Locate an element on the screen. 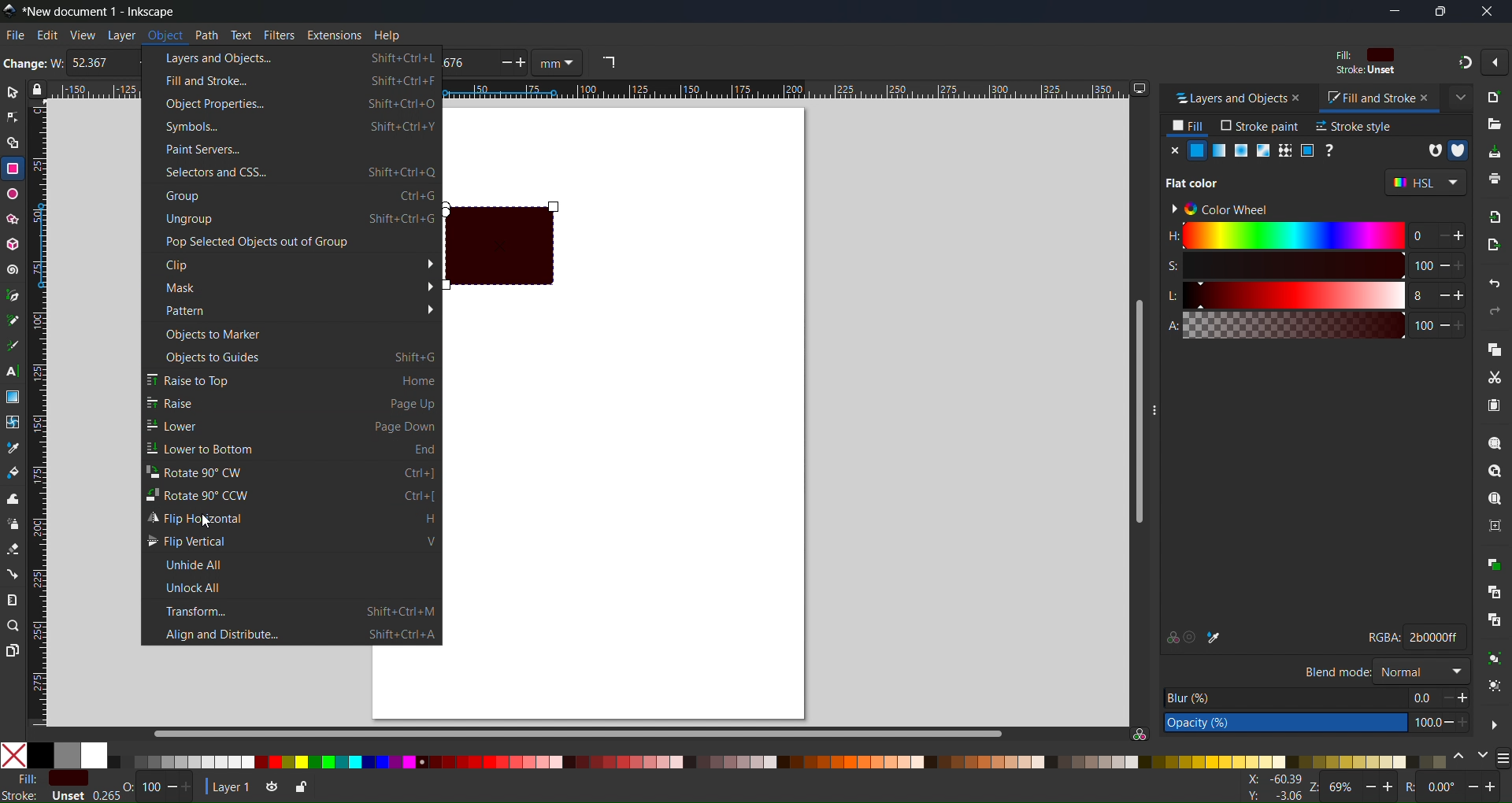 The image size is (1512, 803). Alpha is located at coordinates (1282, 325).